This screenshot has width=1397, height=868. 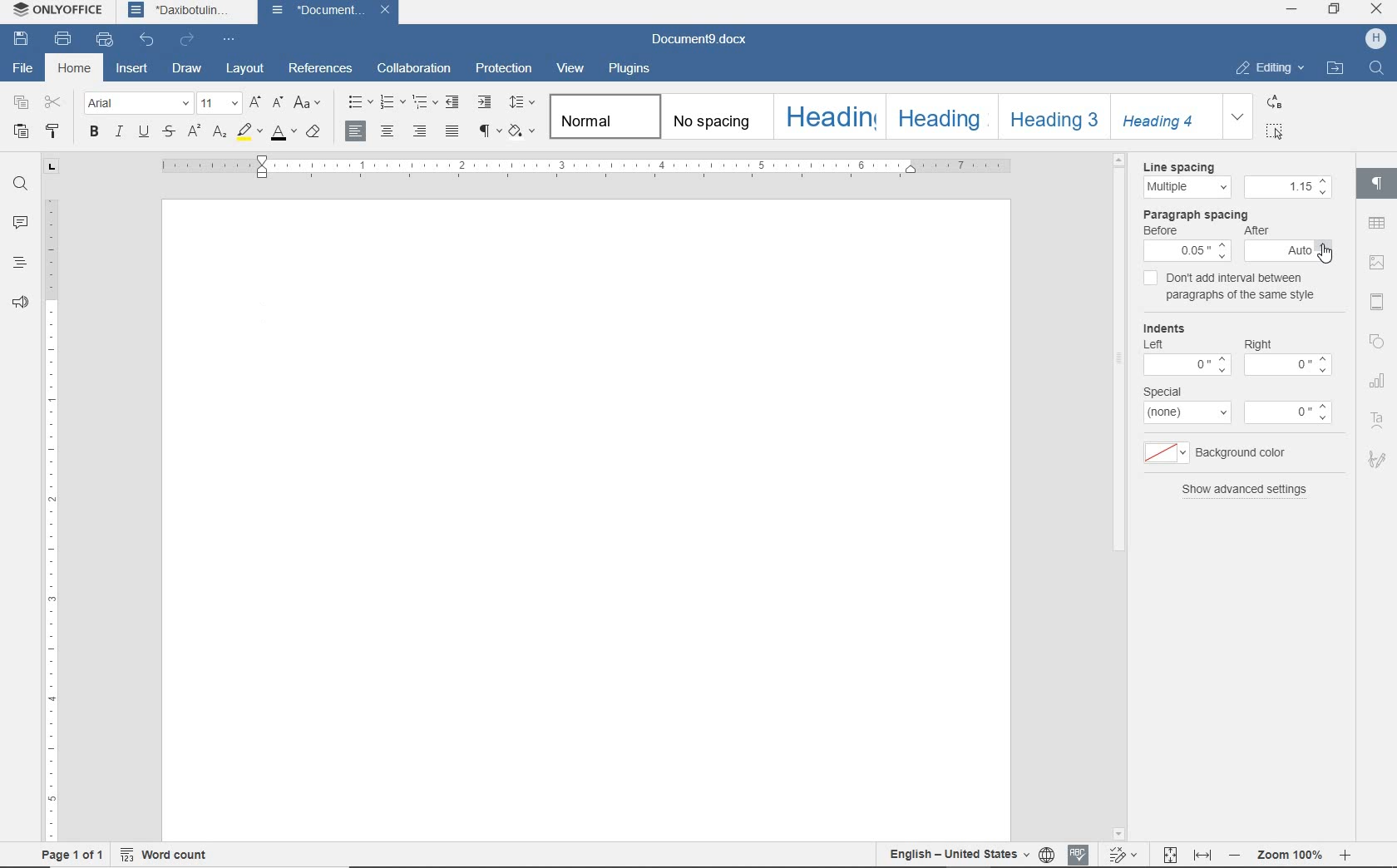 I want to click on multilevel list, so click(x=427, y=104).